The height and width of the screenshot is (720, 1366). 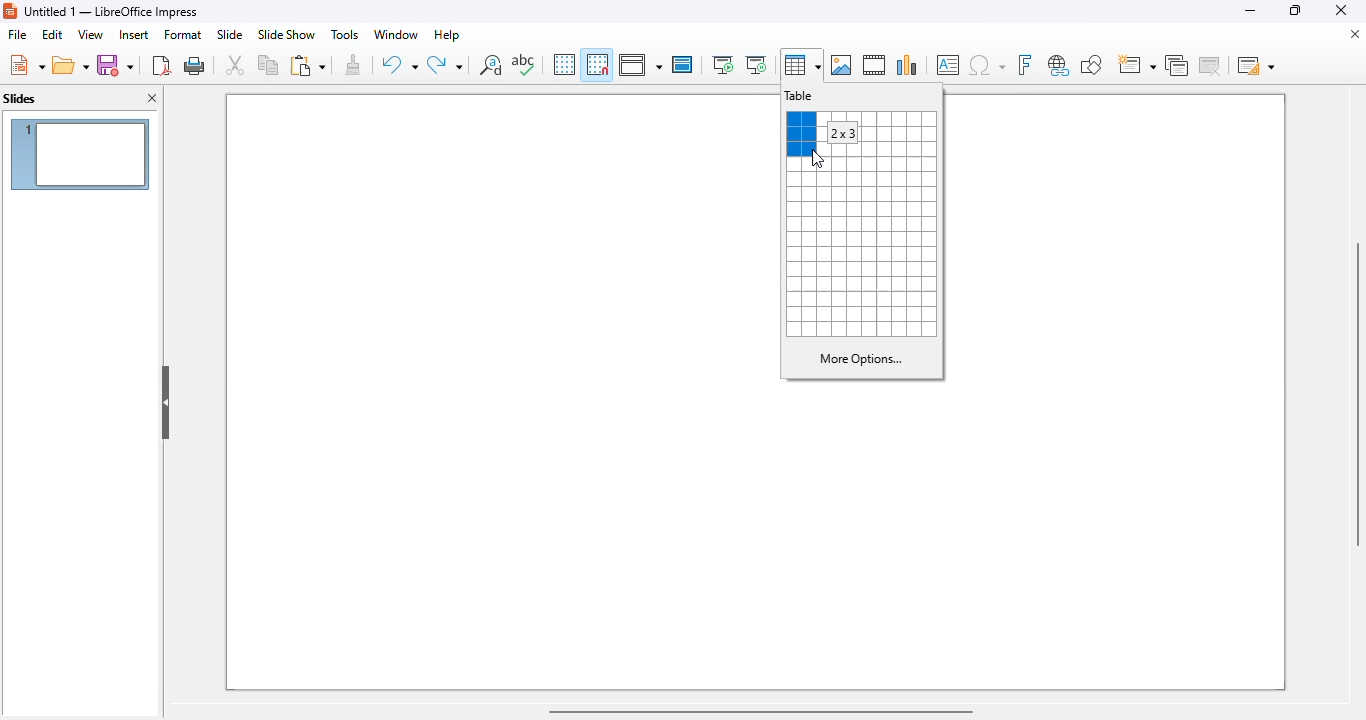 I want to click on close pane, so click(x=153, y=98).